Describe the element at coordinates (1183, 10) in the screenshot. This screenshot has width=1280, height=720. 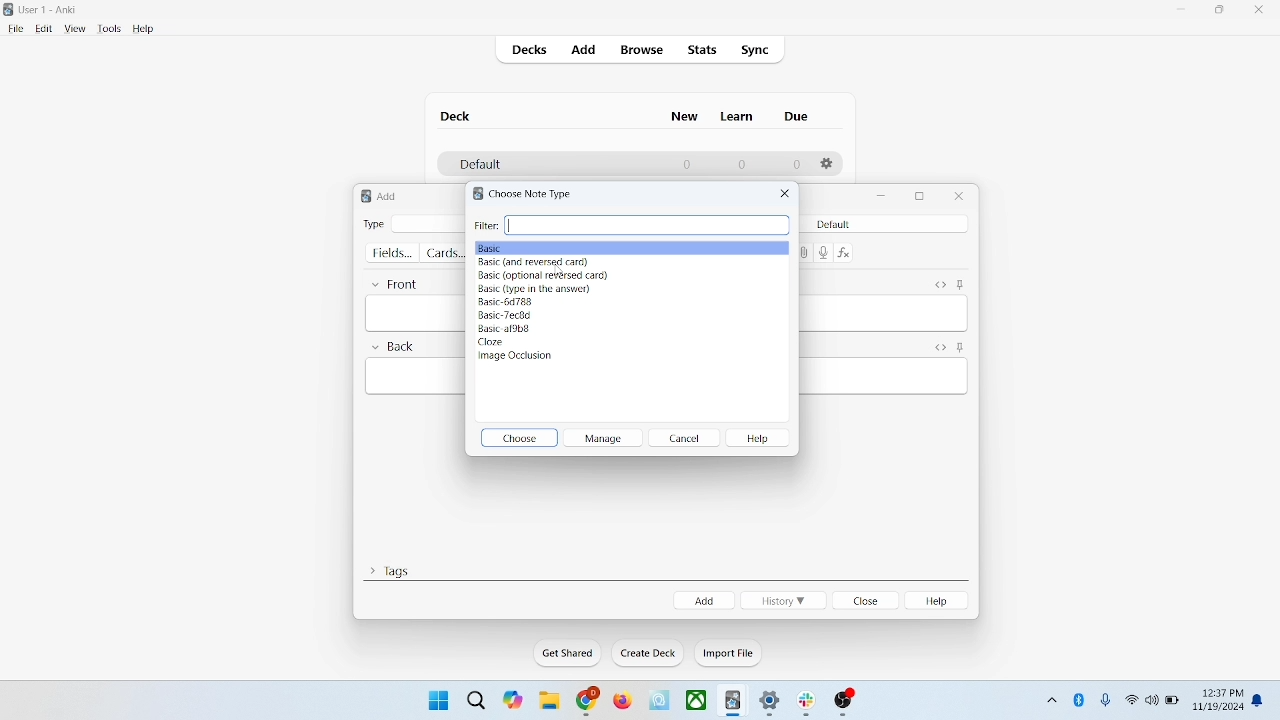
I see `minimize` at that location.